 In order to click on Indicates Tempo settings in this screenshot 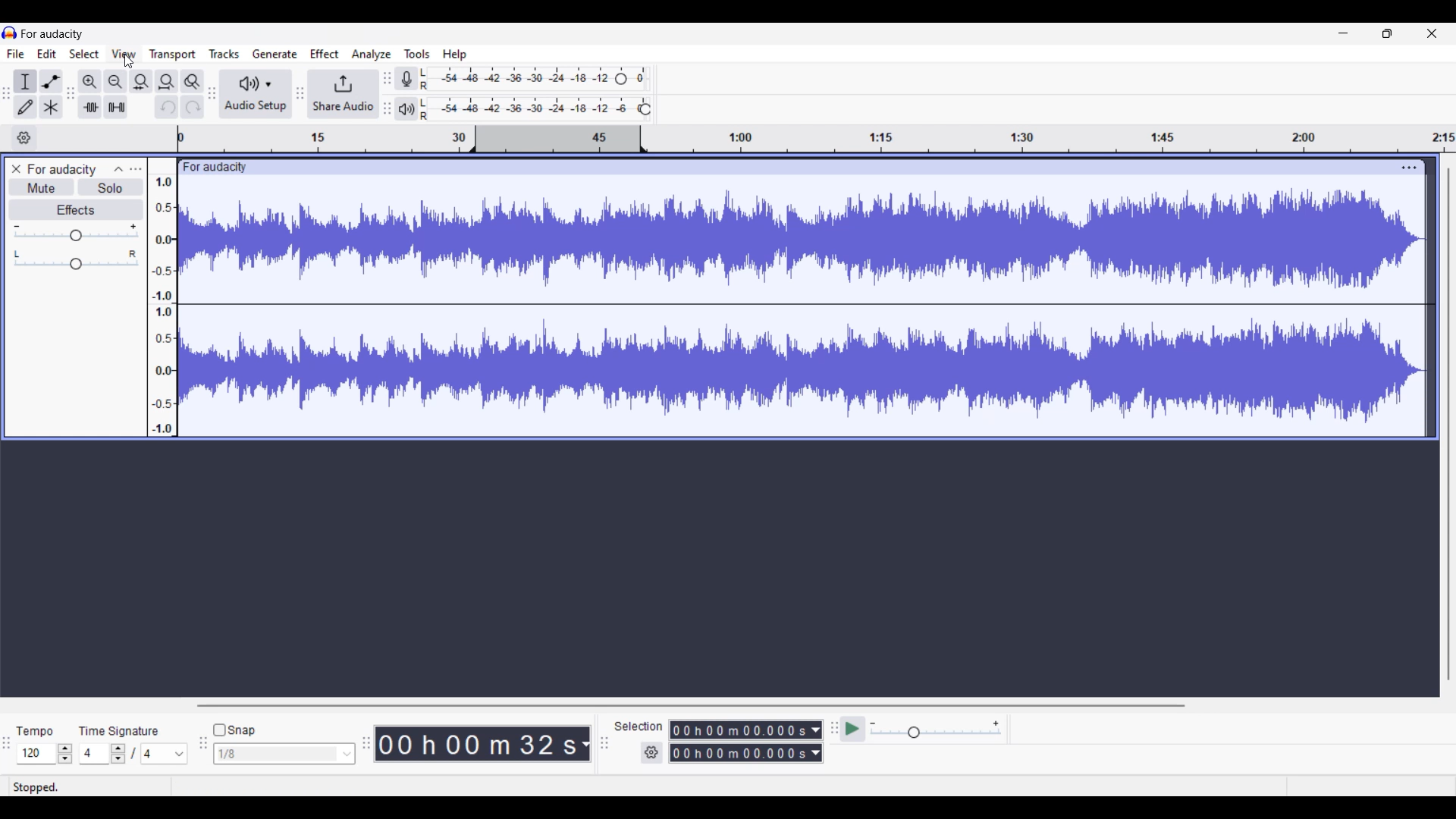, I will do `click(34, 732)`.